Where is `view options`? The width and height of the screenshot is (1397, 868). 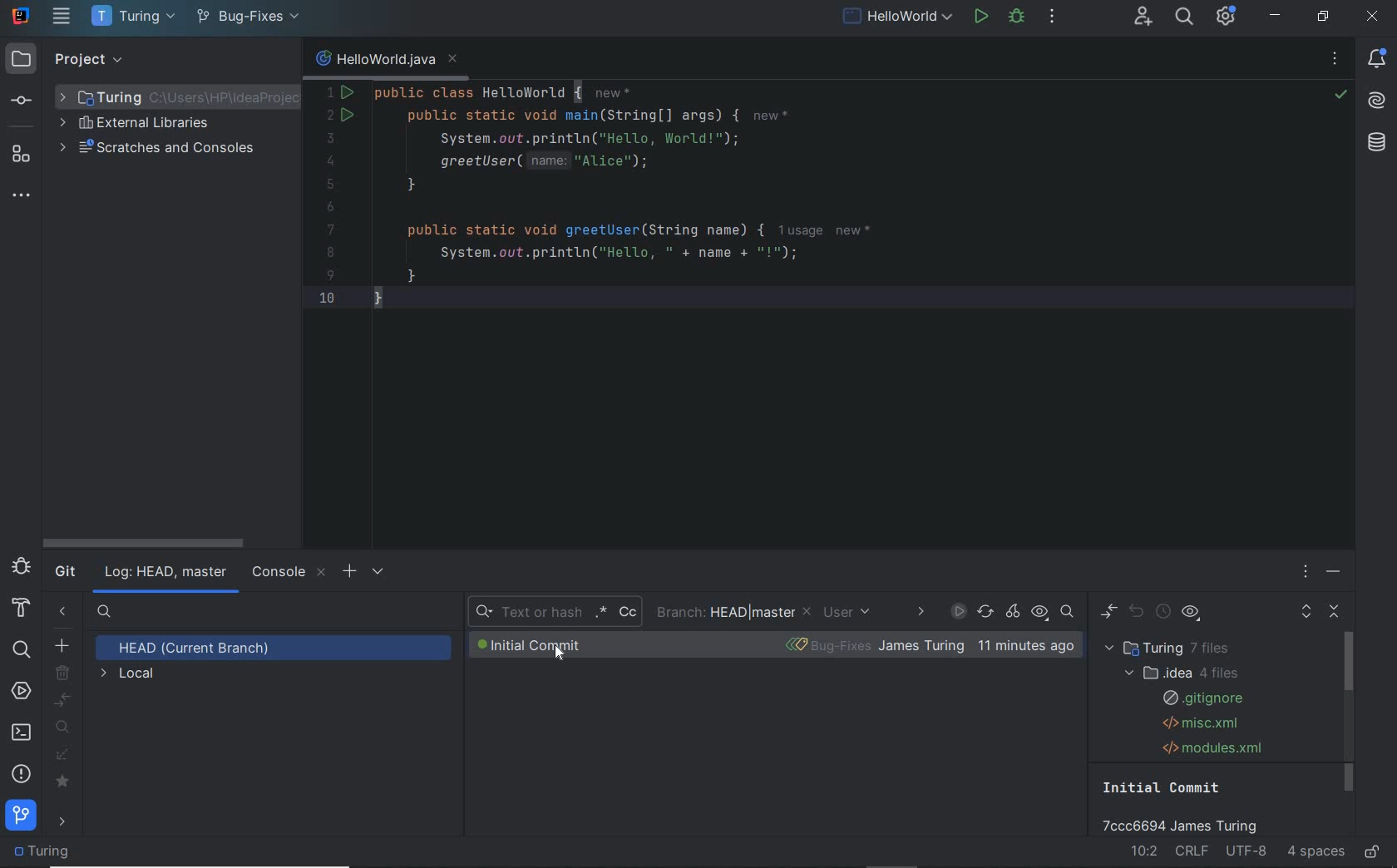
view options is located at coordinates (1191, 615).